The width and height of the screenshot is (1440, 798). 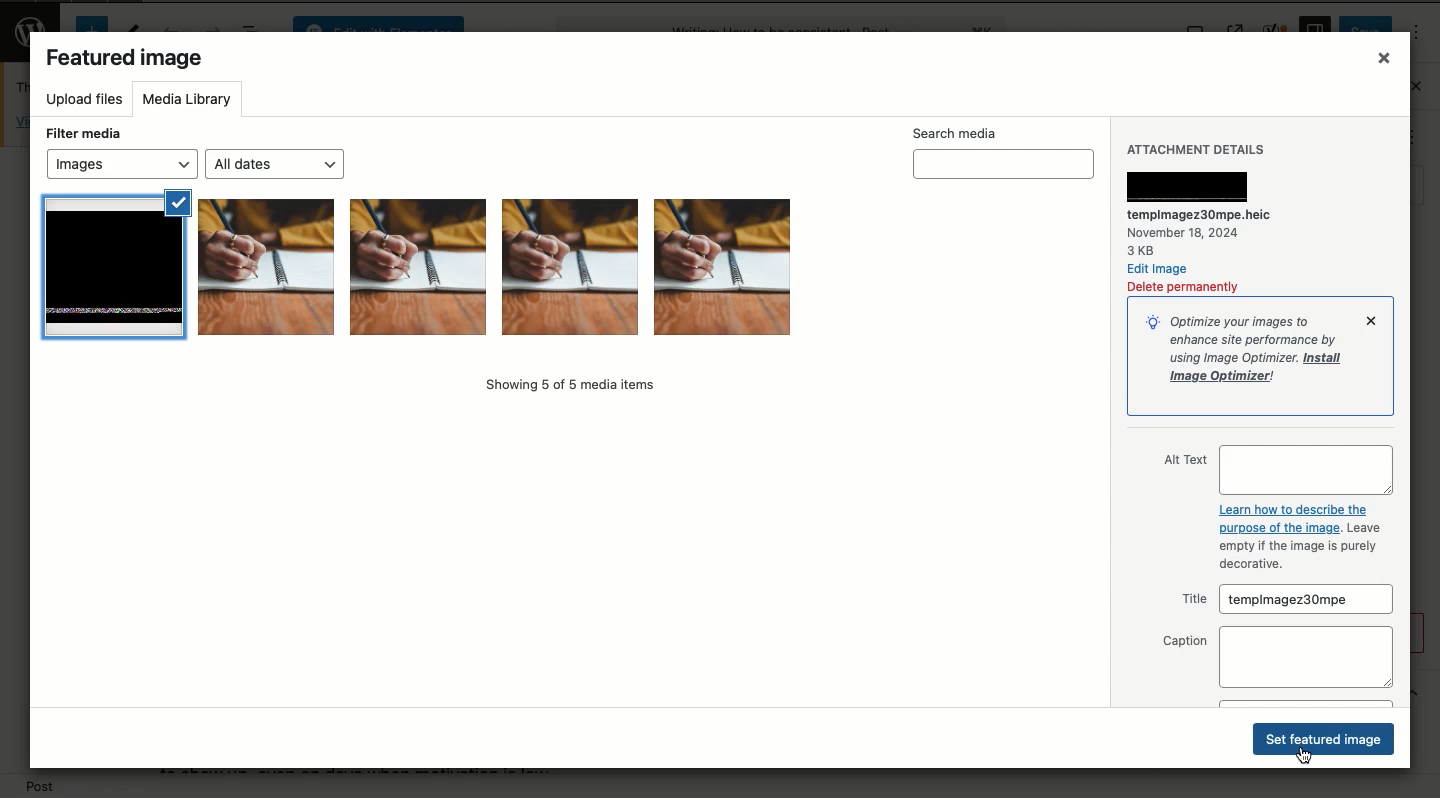 What do you see at coordinates (124, 60) in the screenshot?
I see `Featured image` at bounding box center [124, 60].